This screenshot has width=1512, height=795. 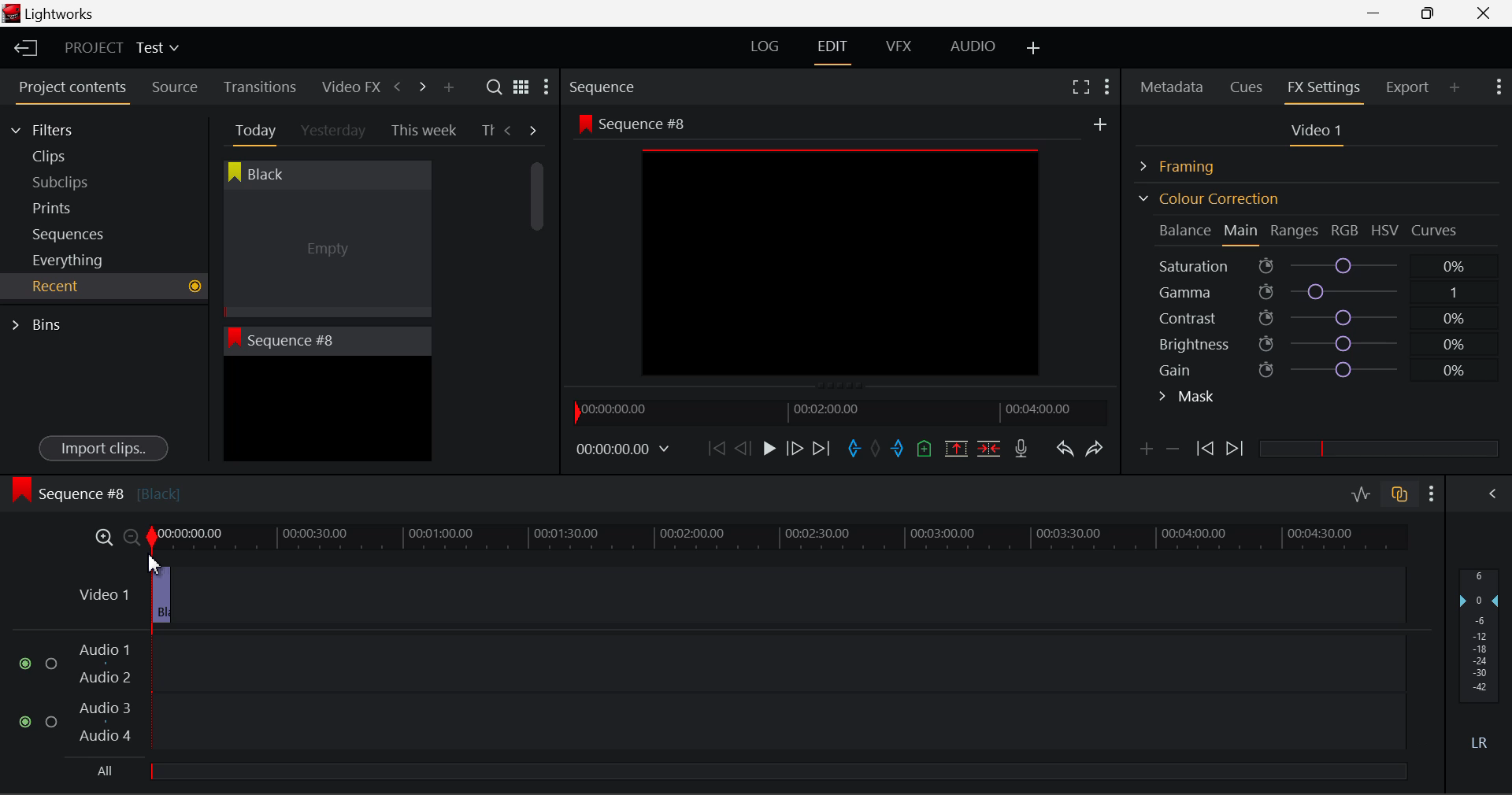 What do you see at coordinates (128, 534) in the screenshot?
I see `Timeline Zoom Out` at bounding box center [128, 534].